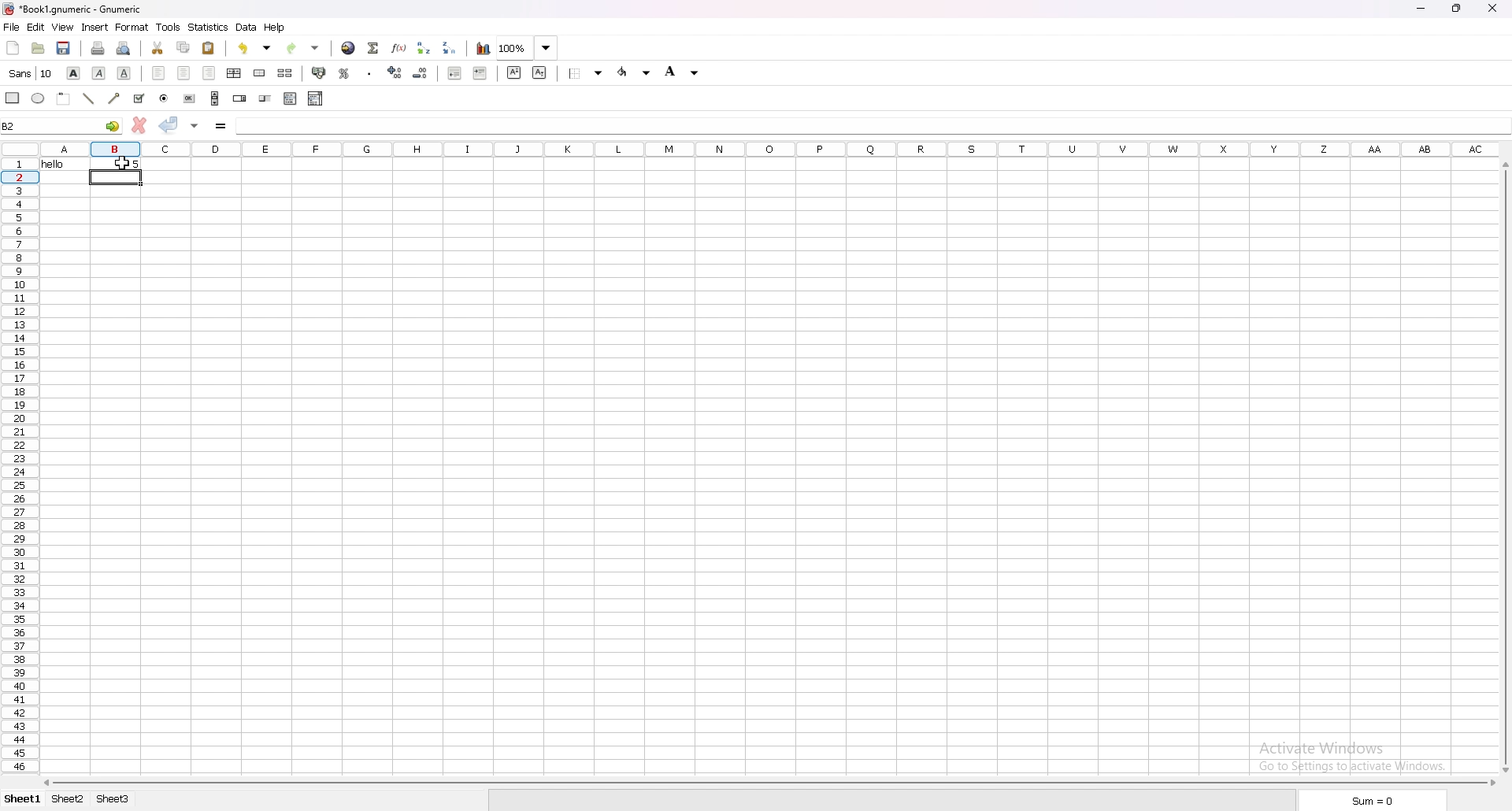 Image resolution: width=1512 pixels, height=811 pixels. Describe the element at coordinates (275, 27) in the screenshot. I see `help` at that location.